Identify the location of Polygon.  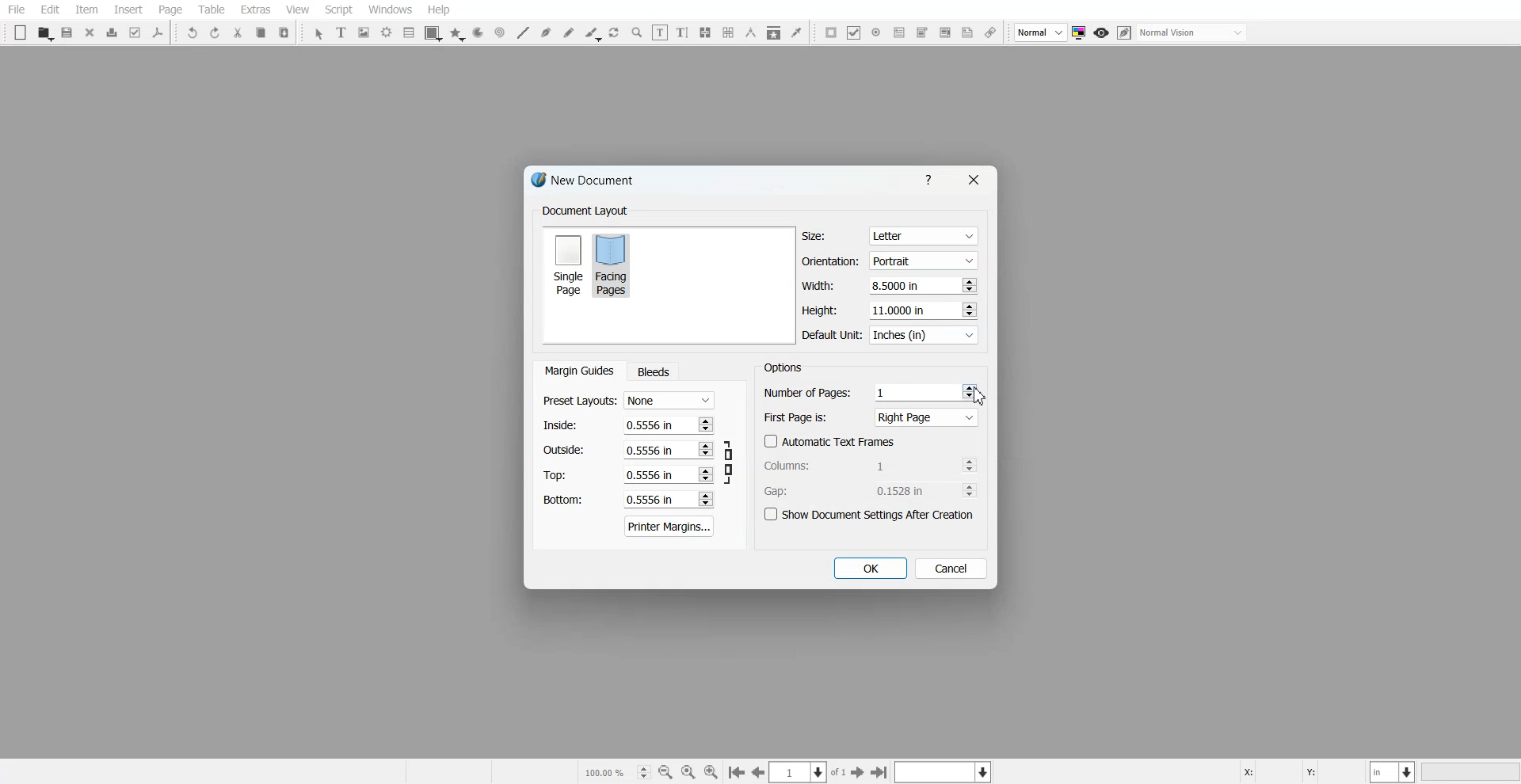
(457, 34).